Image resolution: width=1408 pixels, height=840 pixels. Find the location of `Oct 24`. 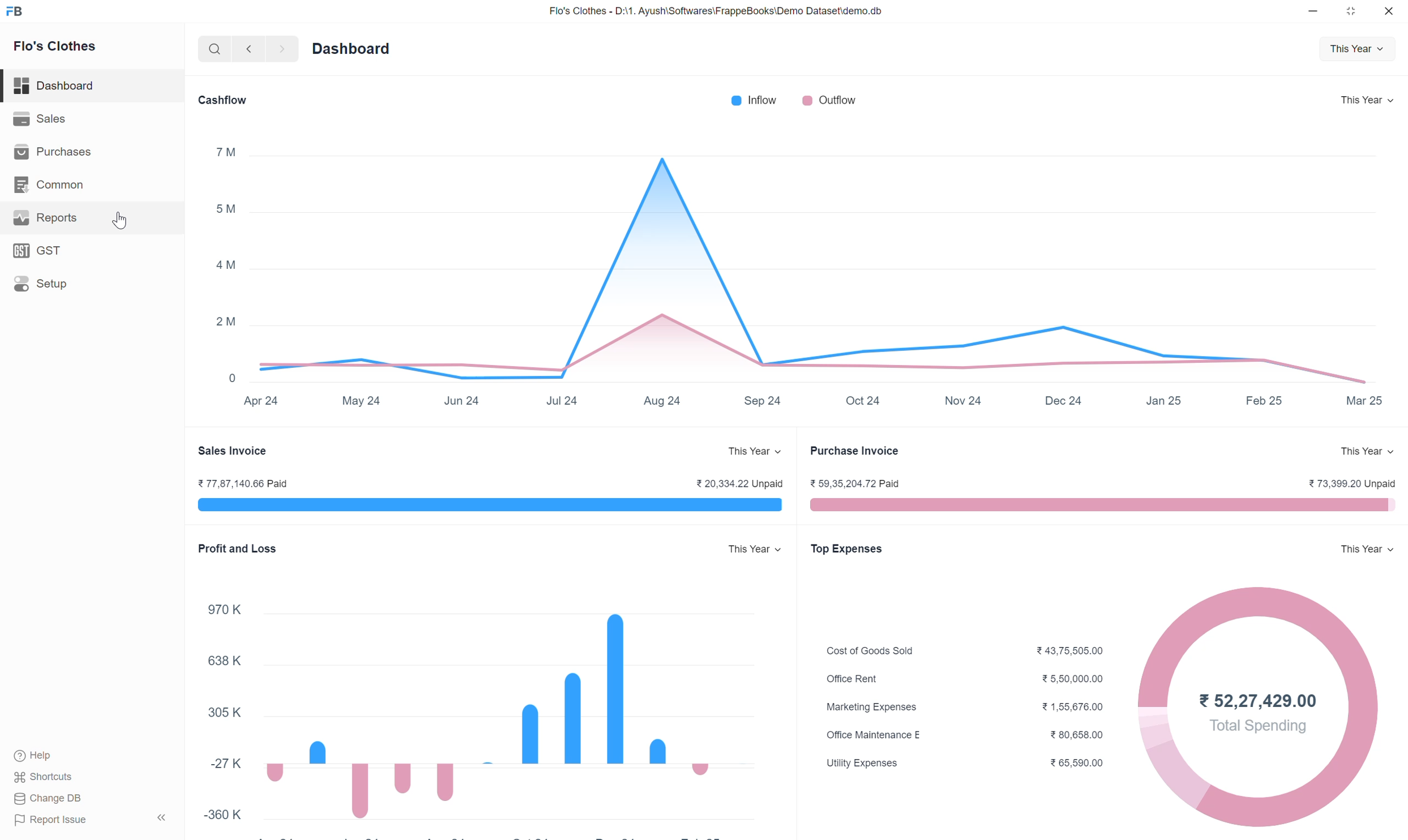

Oct 24 is located at coordinates (864, 402).